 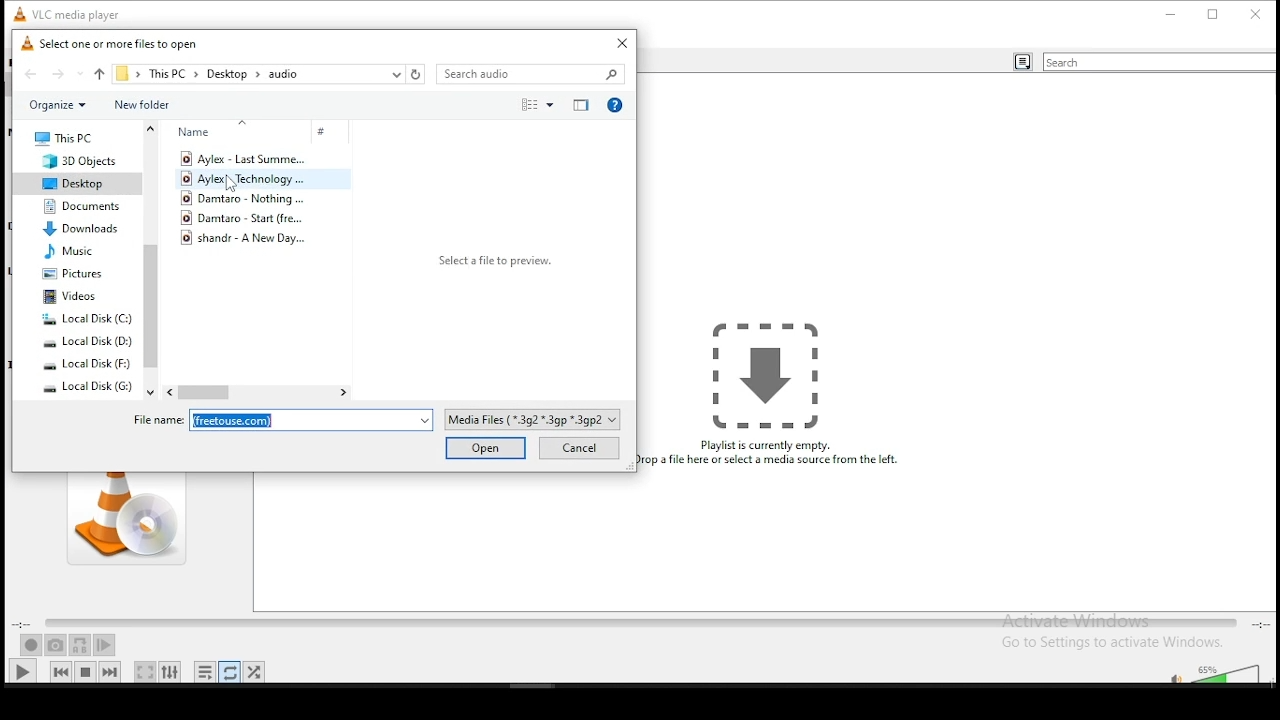 I want to click on toggle playlist, so click(x=204, y=672).